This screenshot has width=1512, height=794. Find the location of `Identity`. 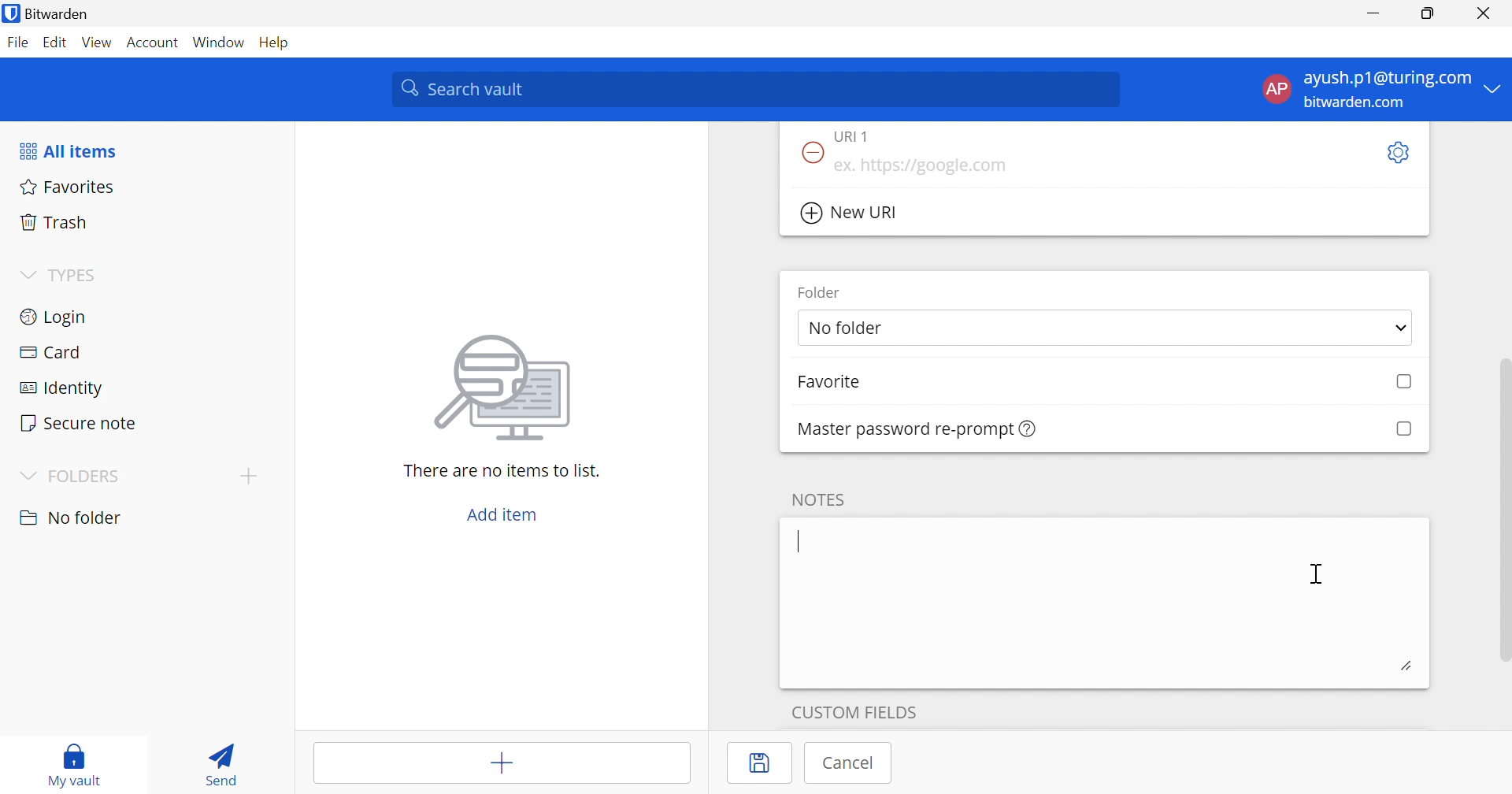

Identity is located at coordinates (64, 389).